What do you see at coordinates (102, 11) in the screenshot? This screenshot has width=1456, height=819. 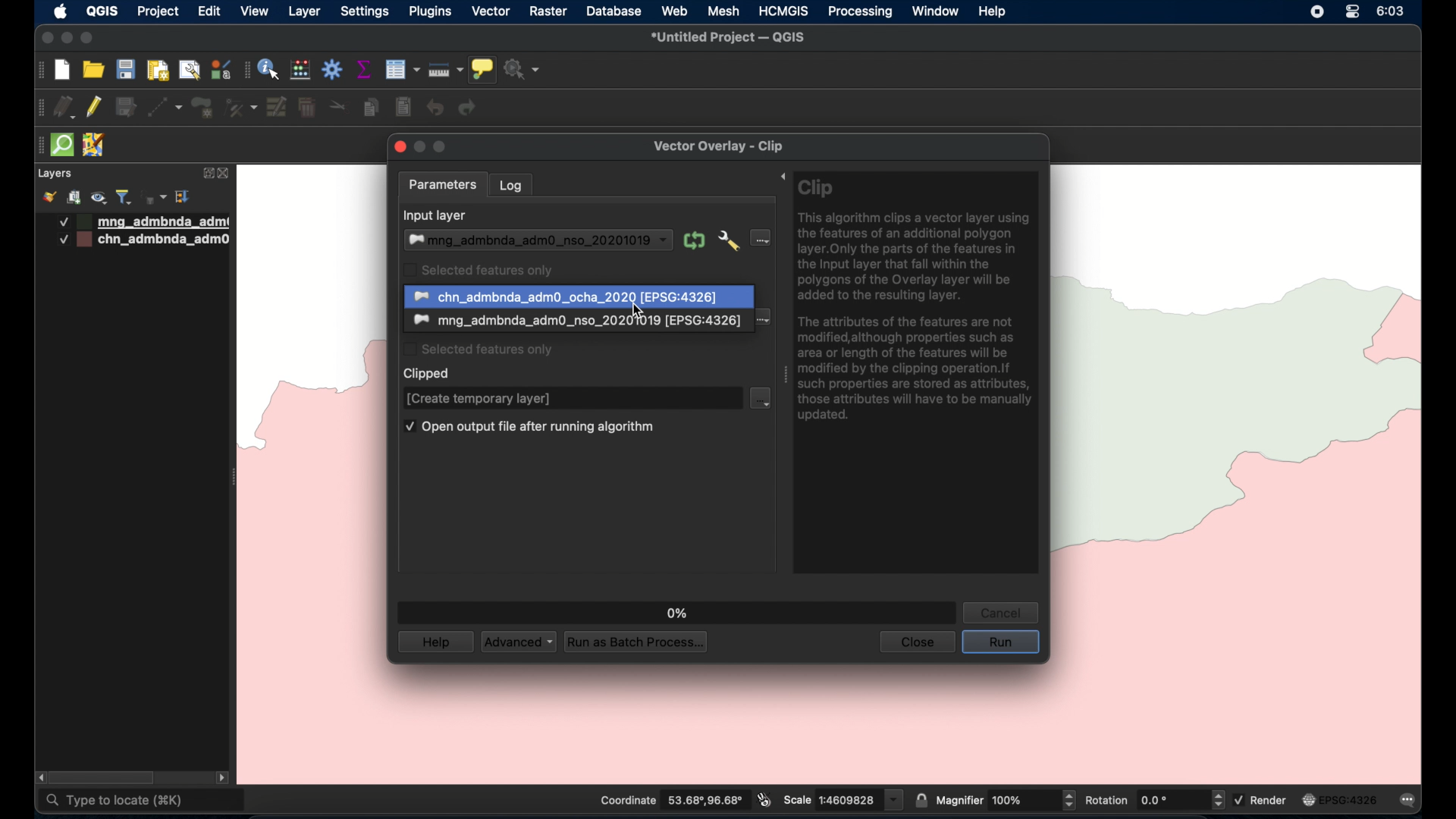 I see `QGIS` at bounding box center [102, 11].